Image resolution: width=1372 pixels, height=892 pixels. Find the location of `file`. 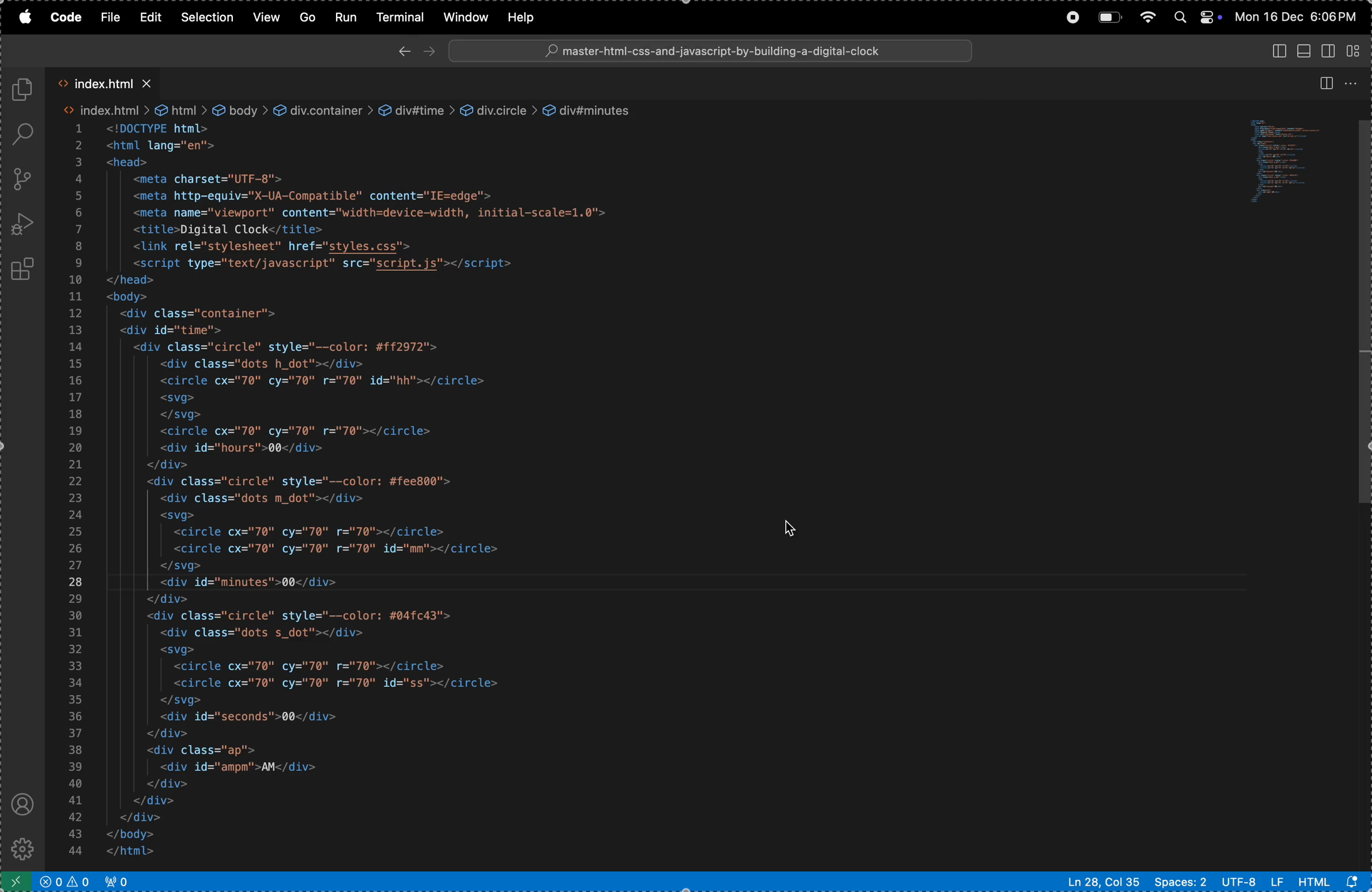

file is located at coordinates (109, 16).